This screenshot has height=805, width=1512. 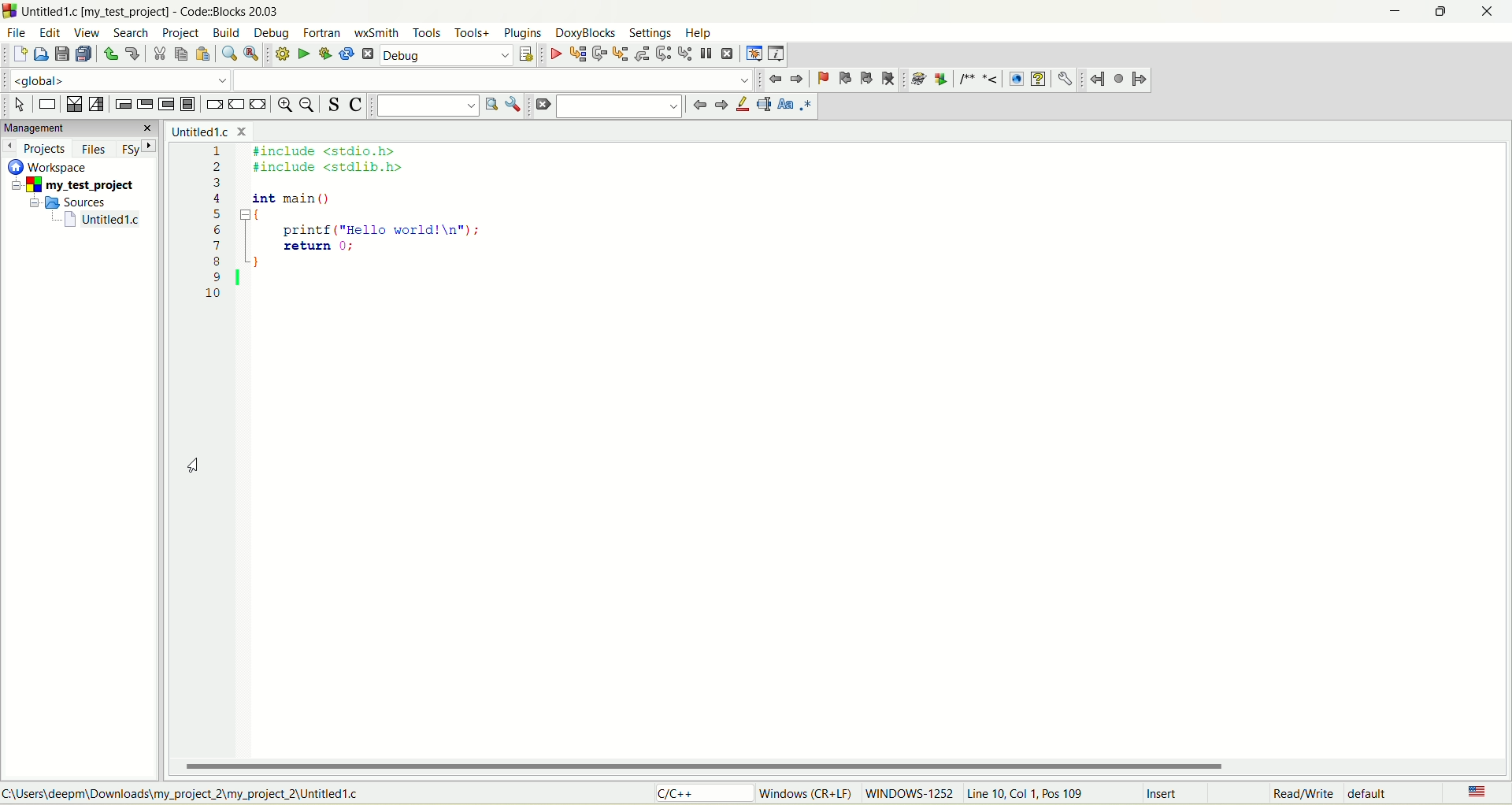 I want to click on search, so click(x=135, y=33).